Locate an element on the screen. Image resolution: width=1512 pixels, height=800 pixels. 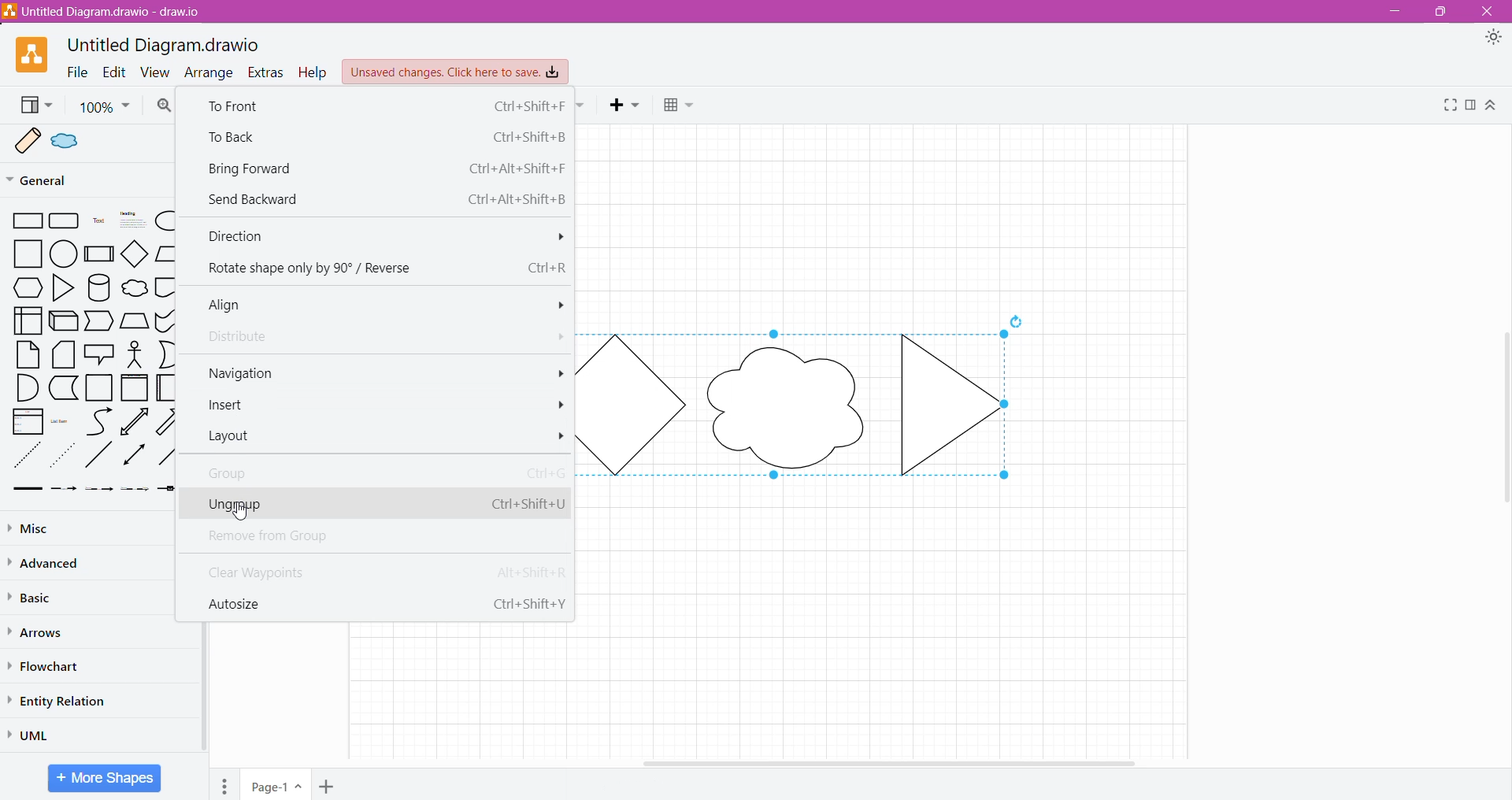
Restore Down is located at coordinates (1440, 13).